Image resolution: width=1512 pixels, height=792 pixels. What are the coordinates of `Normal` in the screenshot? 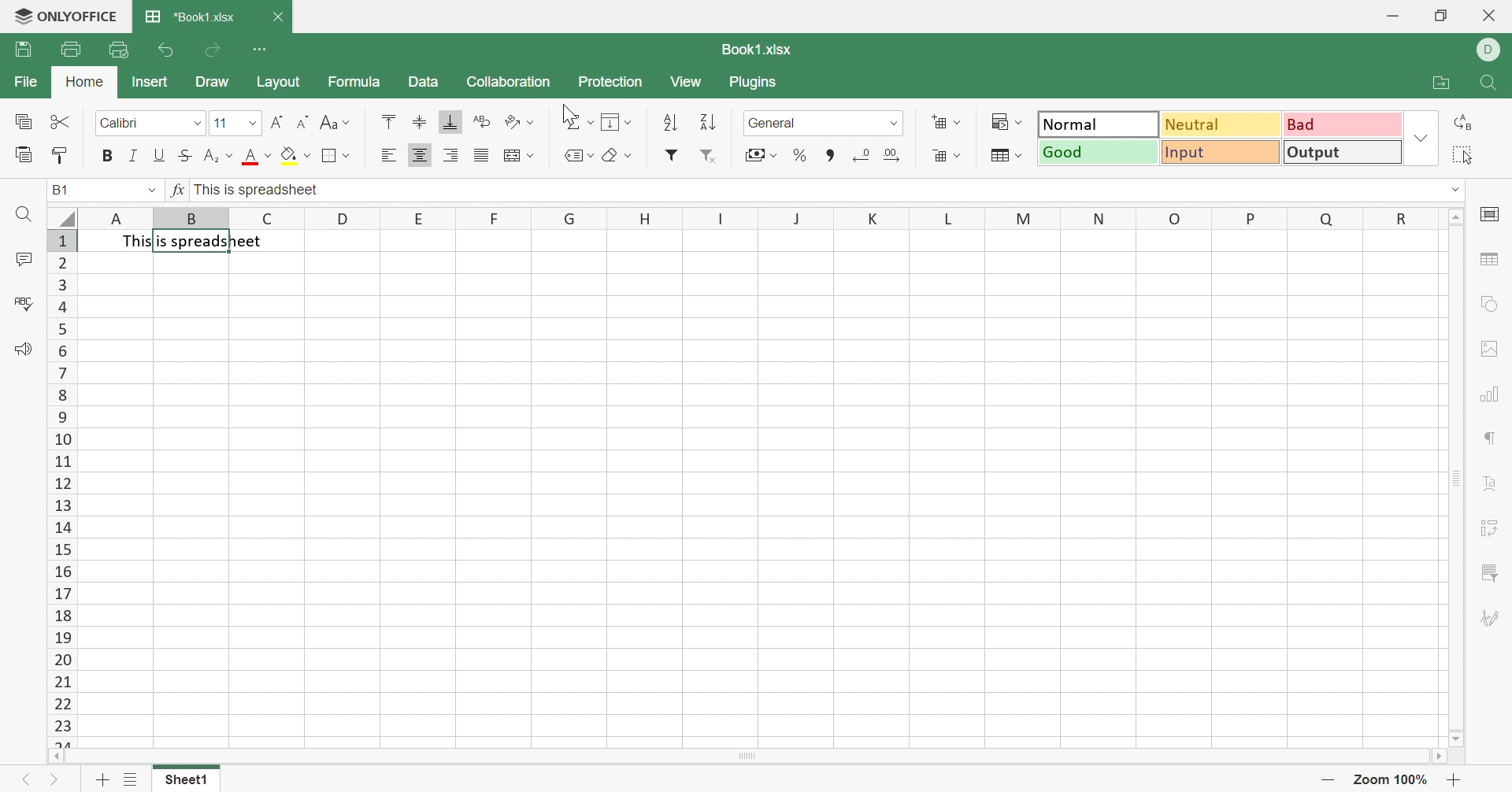 It's located at (1100, 124).